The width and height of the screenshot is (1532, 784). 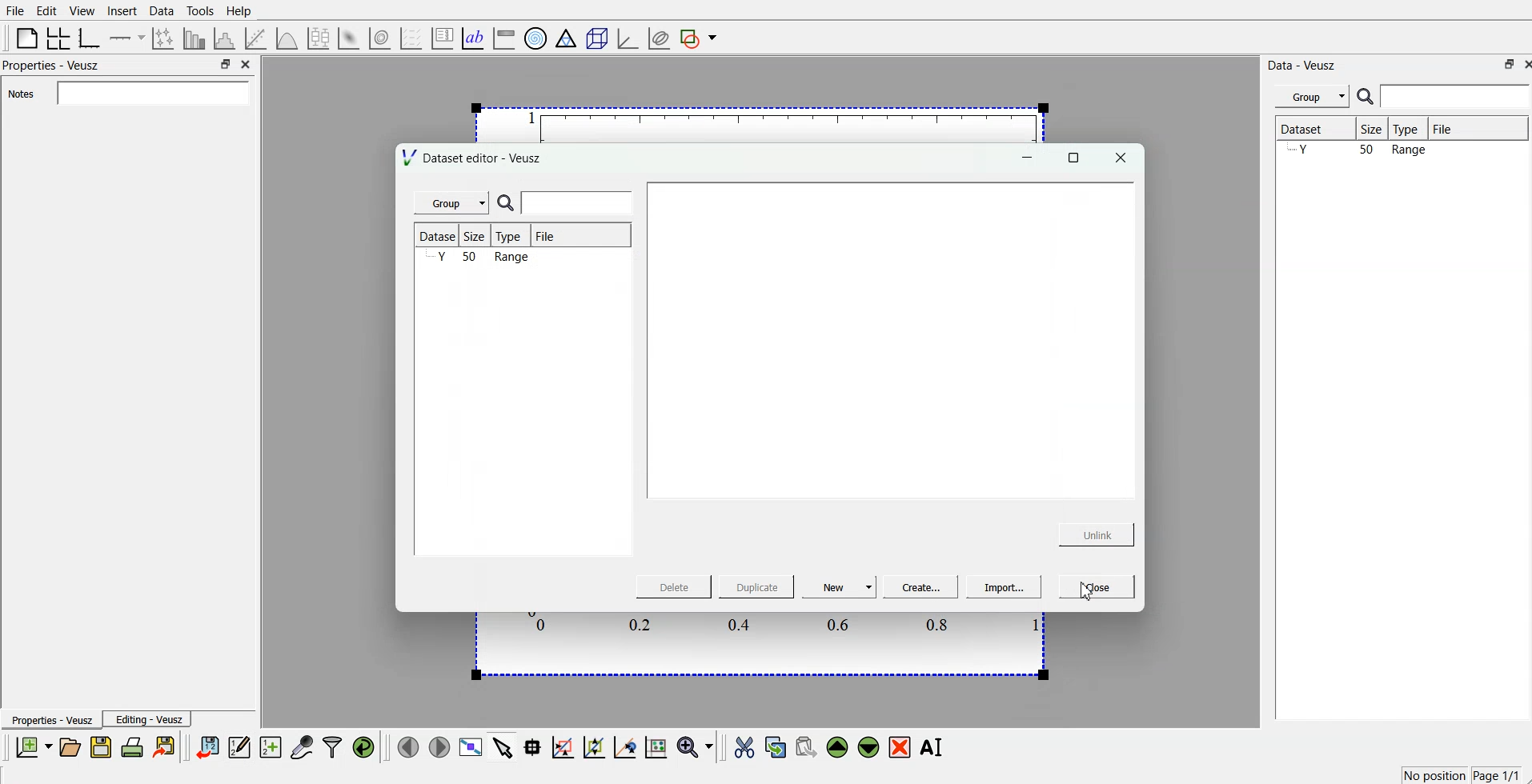 I want to click on plot 2d datasets as contours, so click(x=380, y=36).